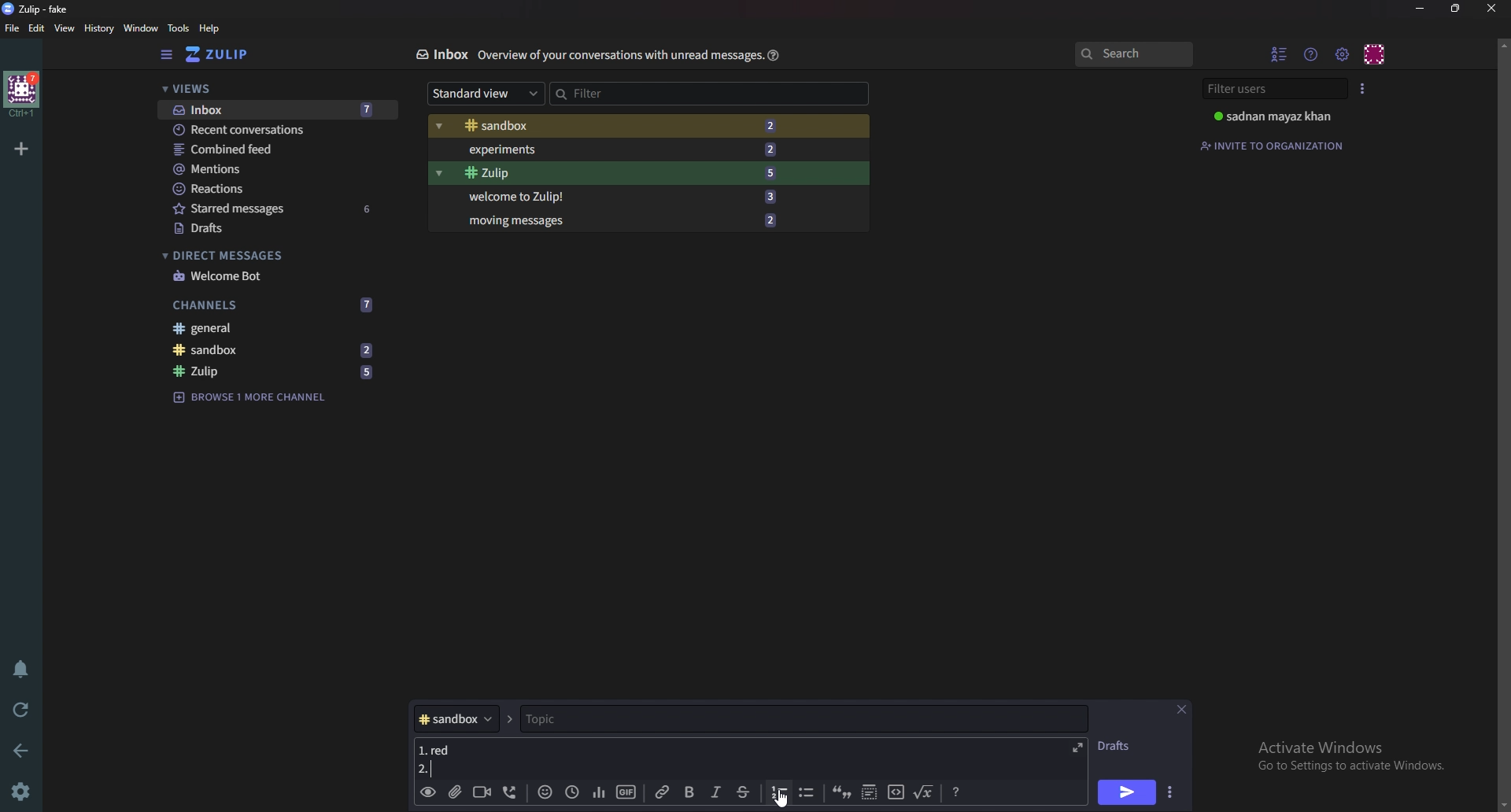 The height and width of the screenshot is (812, 1511). What do you see at coordinates (571, 791) in the screenshot?
I see `Global time` at bounding box center [571, 791].